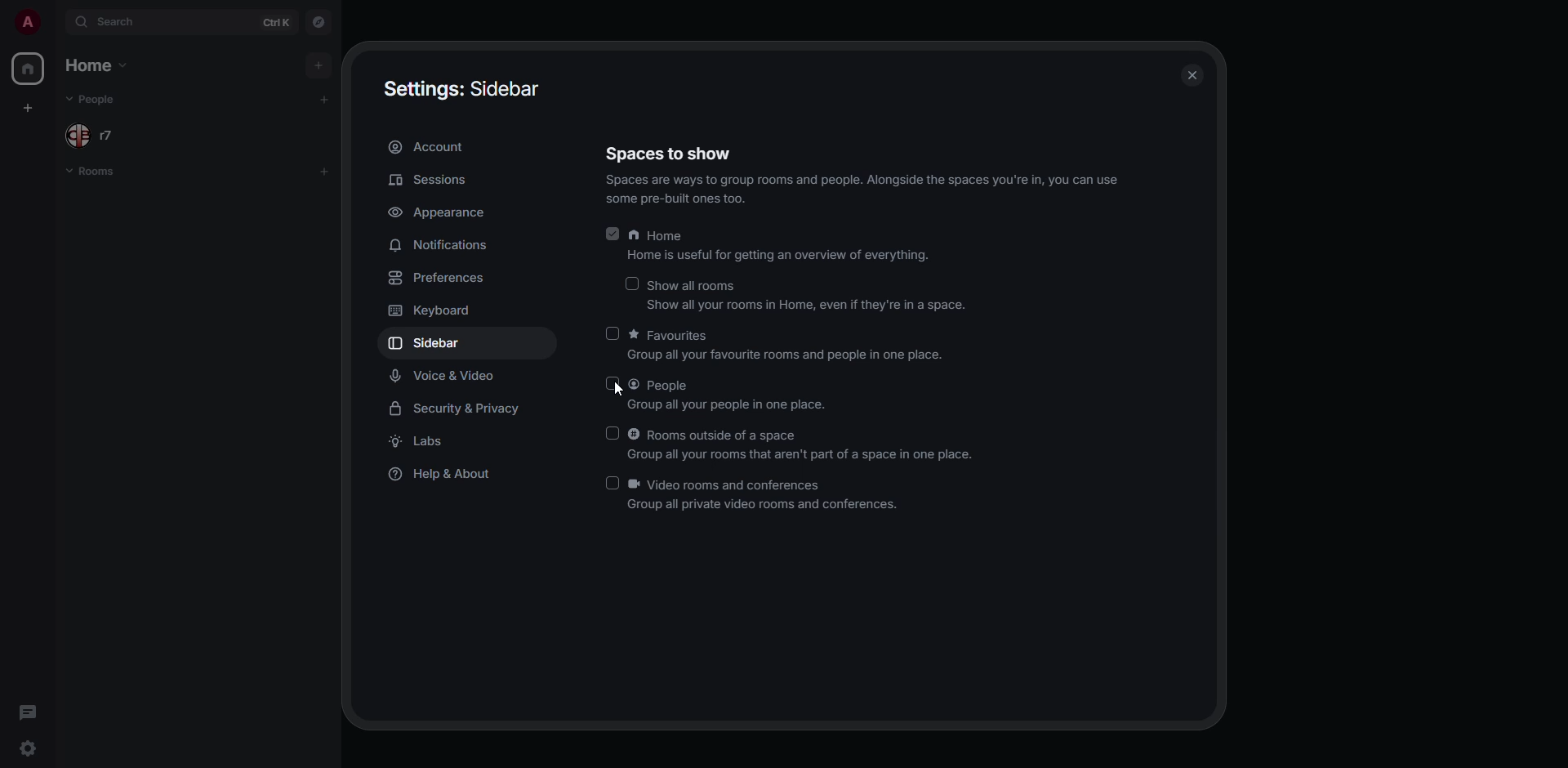 Image resolution: width=1568 pixels, height=768 pixels. I want to click on profile, so click(26, 26).